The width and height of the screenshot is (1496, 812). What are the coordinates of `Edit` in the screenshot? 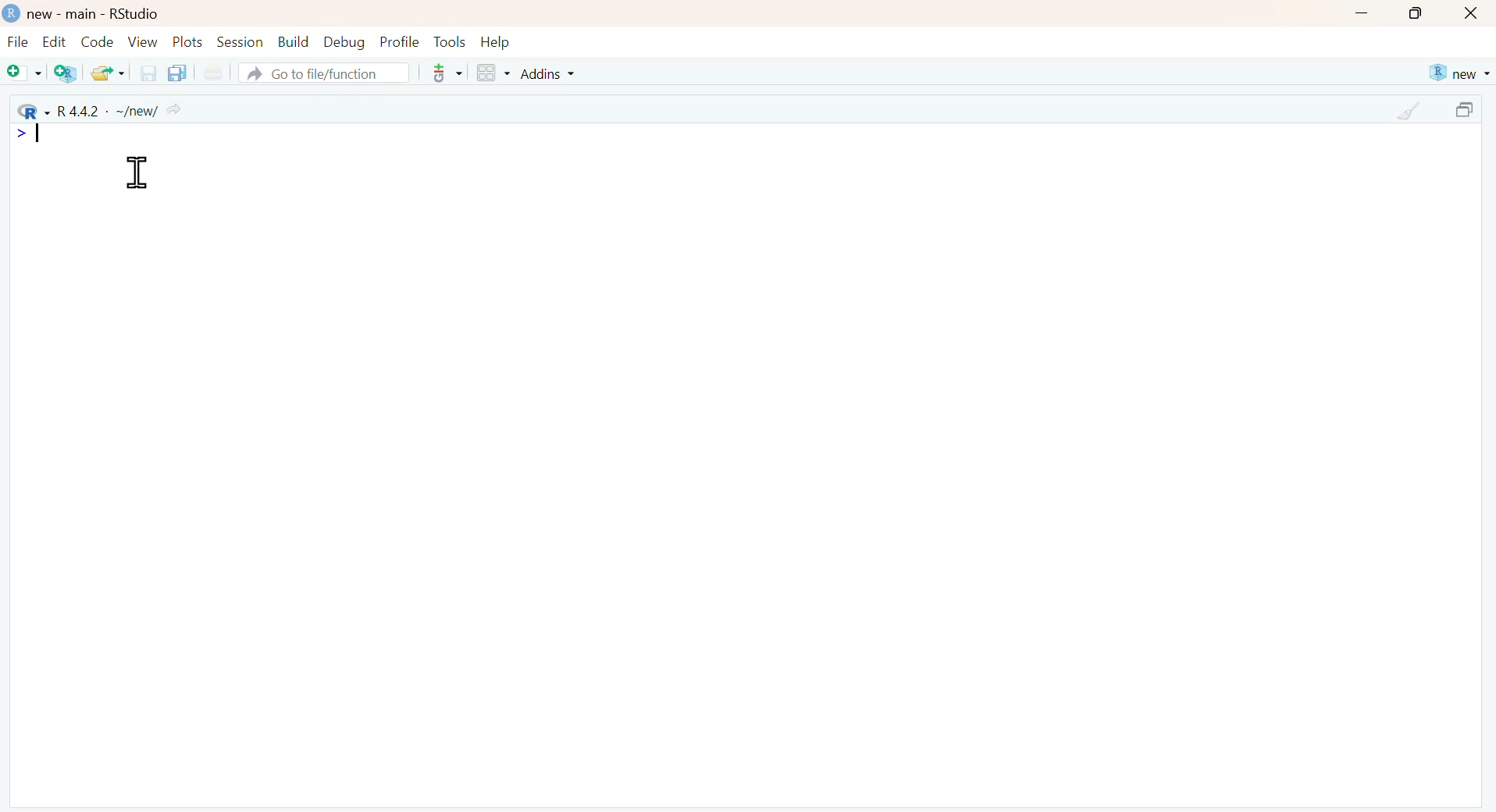 It's located at (54, 41).